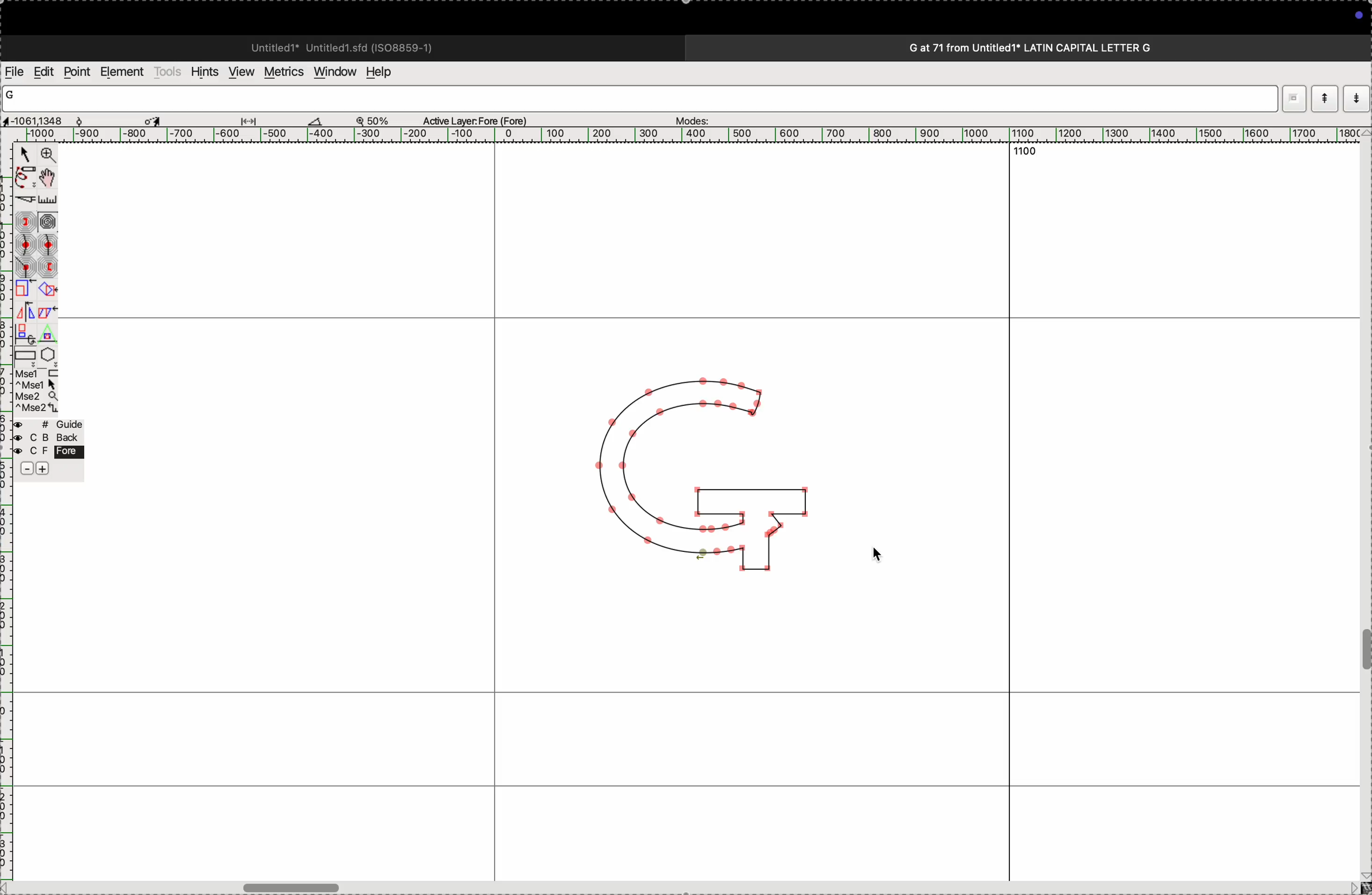 The image size is (1372, 895). I want to click on window, so click(336, 73).